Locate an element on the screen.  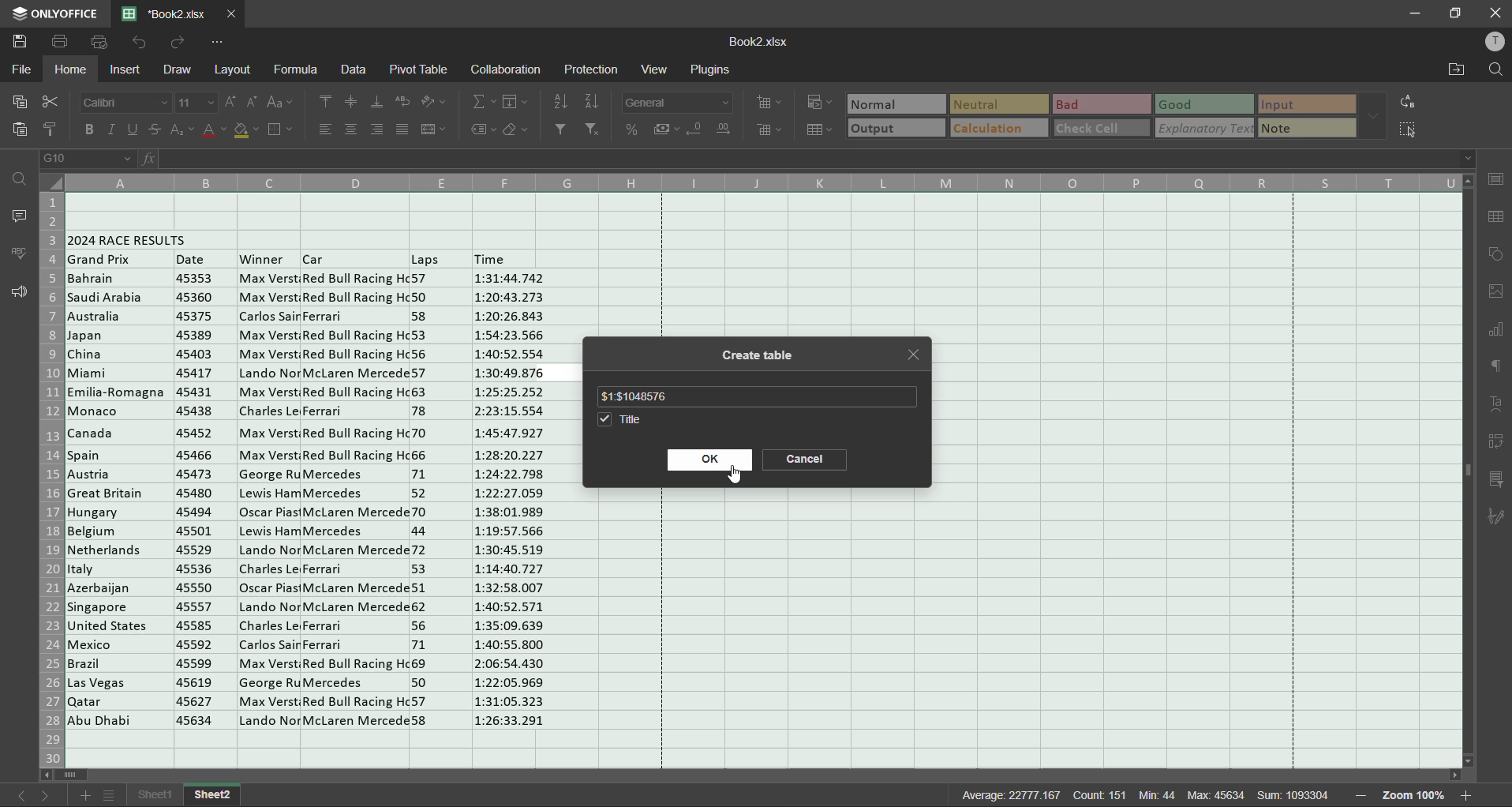
Countries  is located at coordinates (118, 501).